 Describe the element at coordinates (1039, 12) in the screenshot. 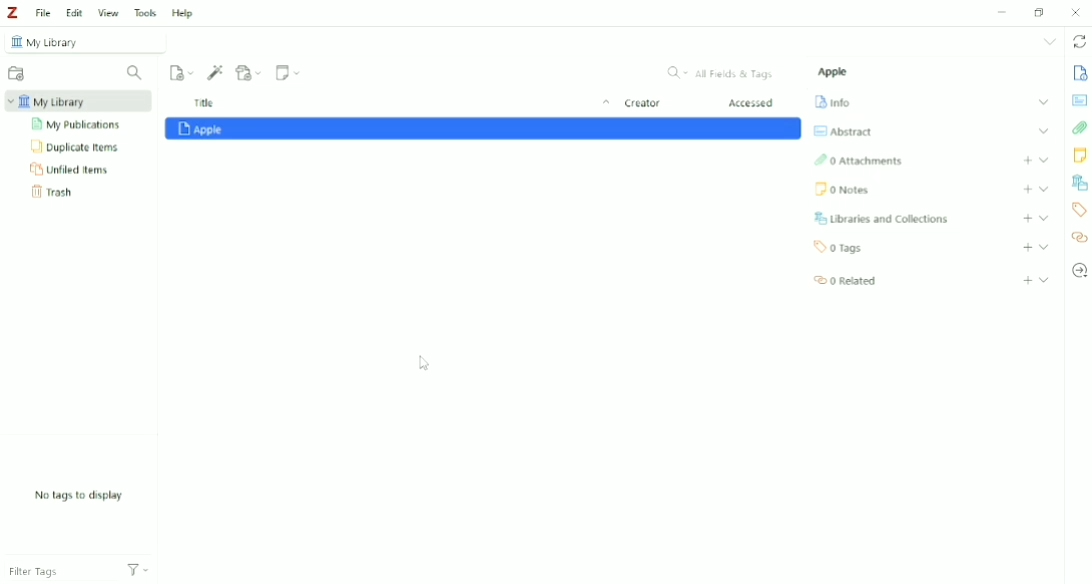

I see `maximize` at that location.